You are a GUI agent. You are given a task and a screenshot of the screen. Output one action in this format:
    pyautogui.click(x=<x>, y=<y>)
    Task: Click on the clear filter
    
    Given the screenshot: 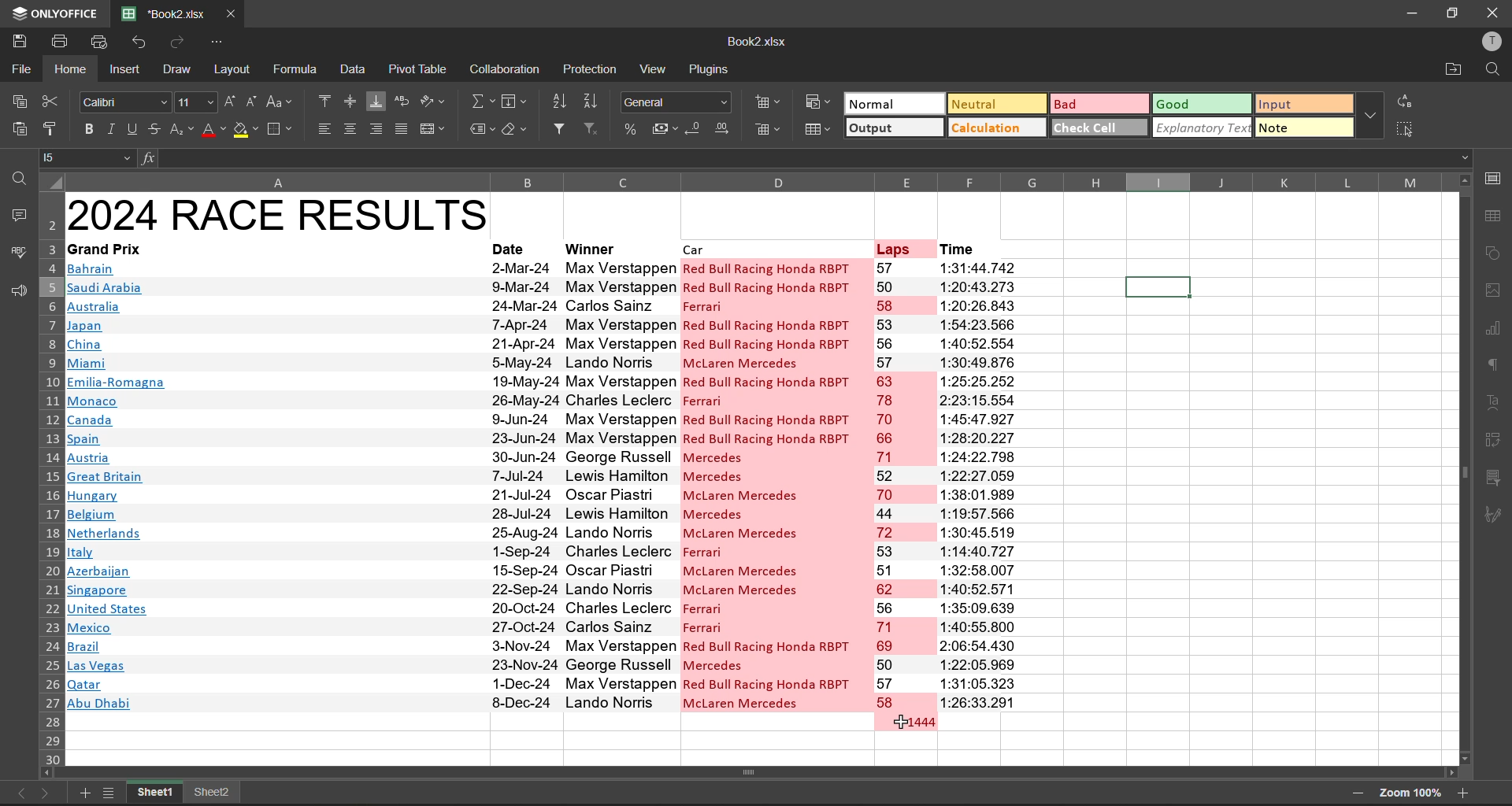 What is the action you would take?
    pyautogui.click(x=589, y=128)
    